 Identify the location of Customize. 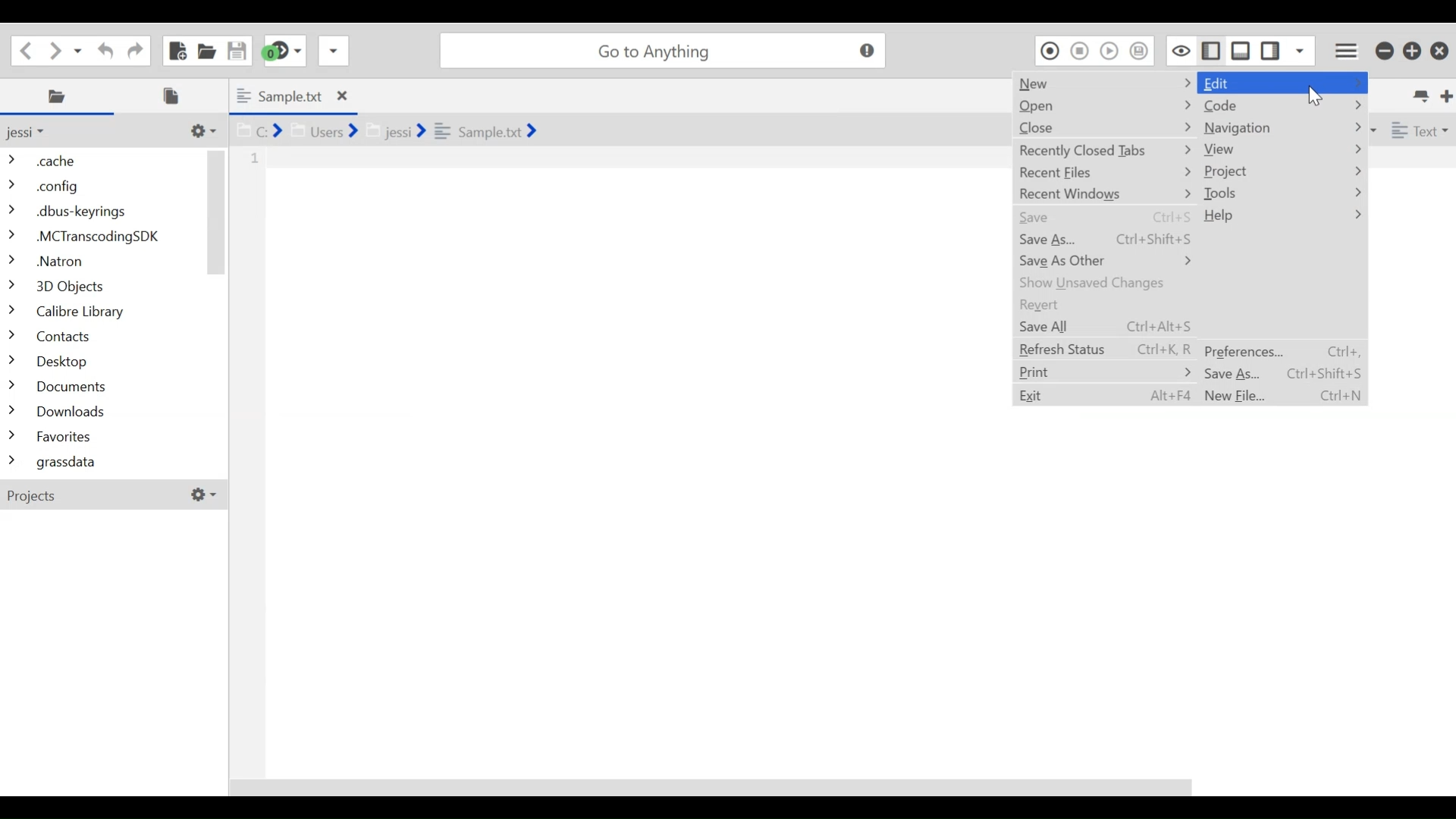
(201, 130).